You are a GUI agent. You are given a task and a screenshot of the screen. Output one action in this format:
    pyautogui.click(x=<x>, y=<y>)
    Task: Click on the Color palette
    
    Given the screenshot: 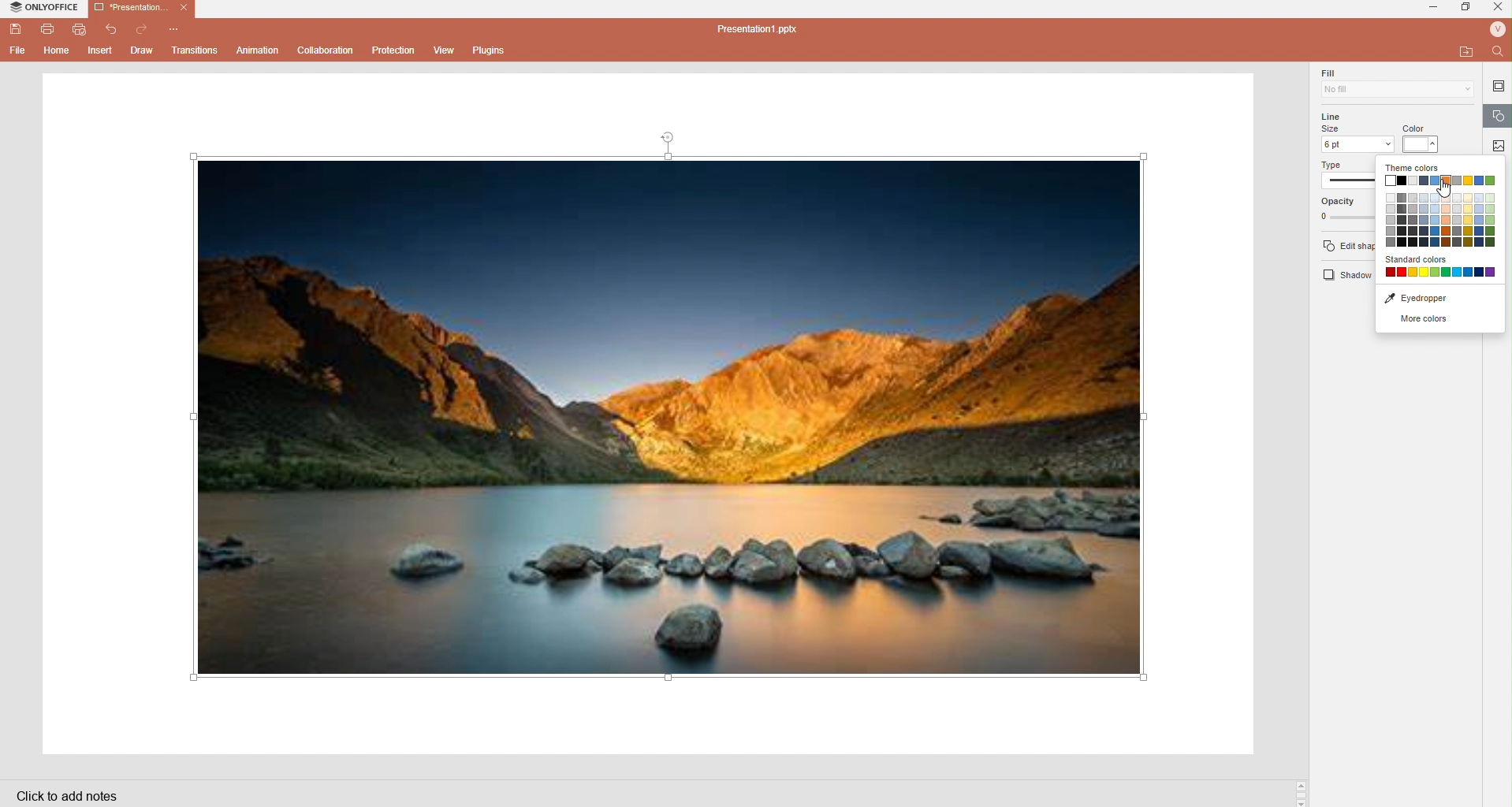 What is the action you would take?
    pyautogui.click(x=1442, y=213)
    